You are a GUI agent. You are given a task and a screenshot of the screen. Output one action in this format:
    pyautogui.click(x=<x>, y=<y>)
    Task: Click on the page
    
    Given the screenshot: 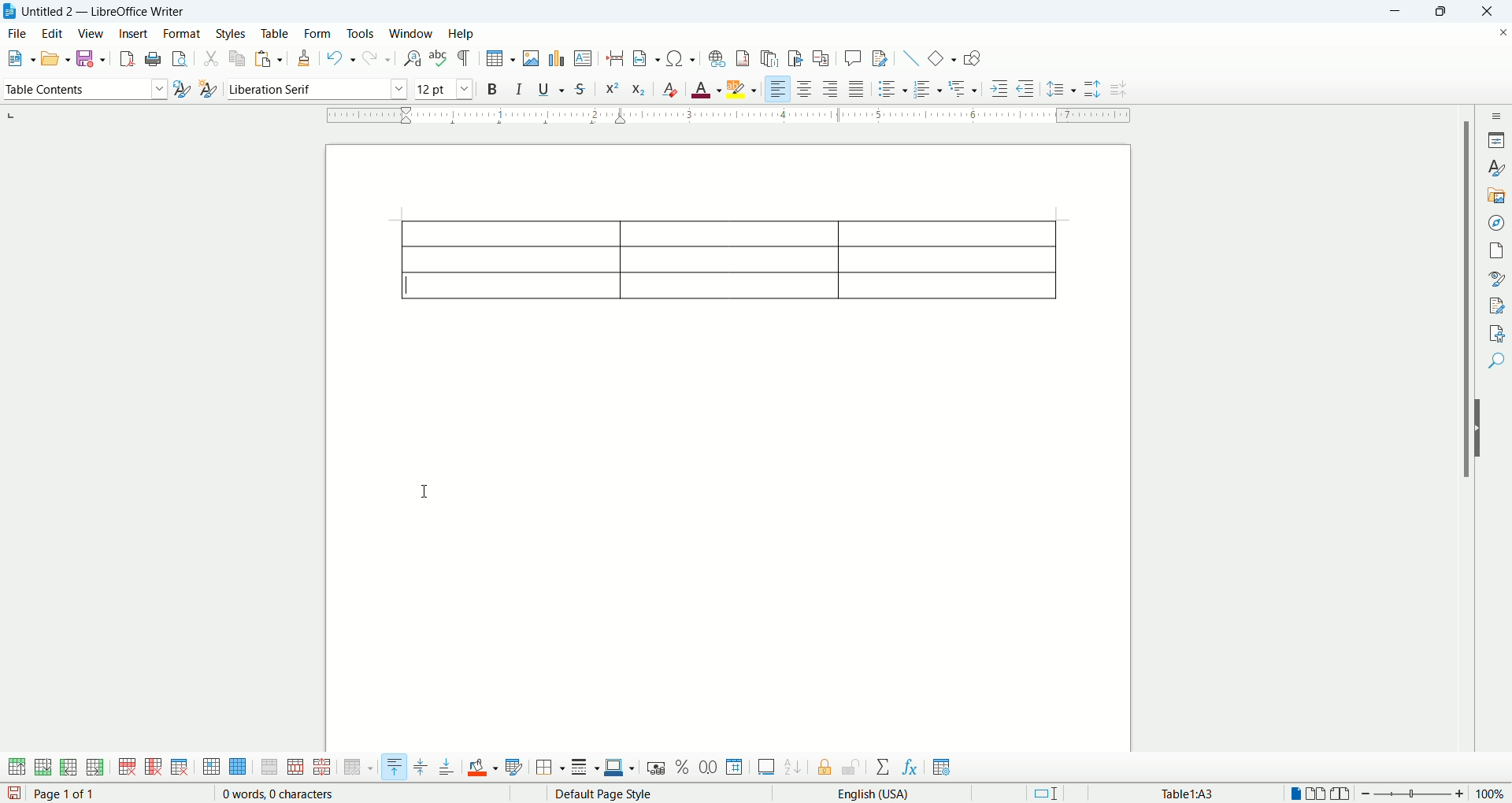 What is the action you would take?
    pyautogui.click(x=1494, y=250)
    